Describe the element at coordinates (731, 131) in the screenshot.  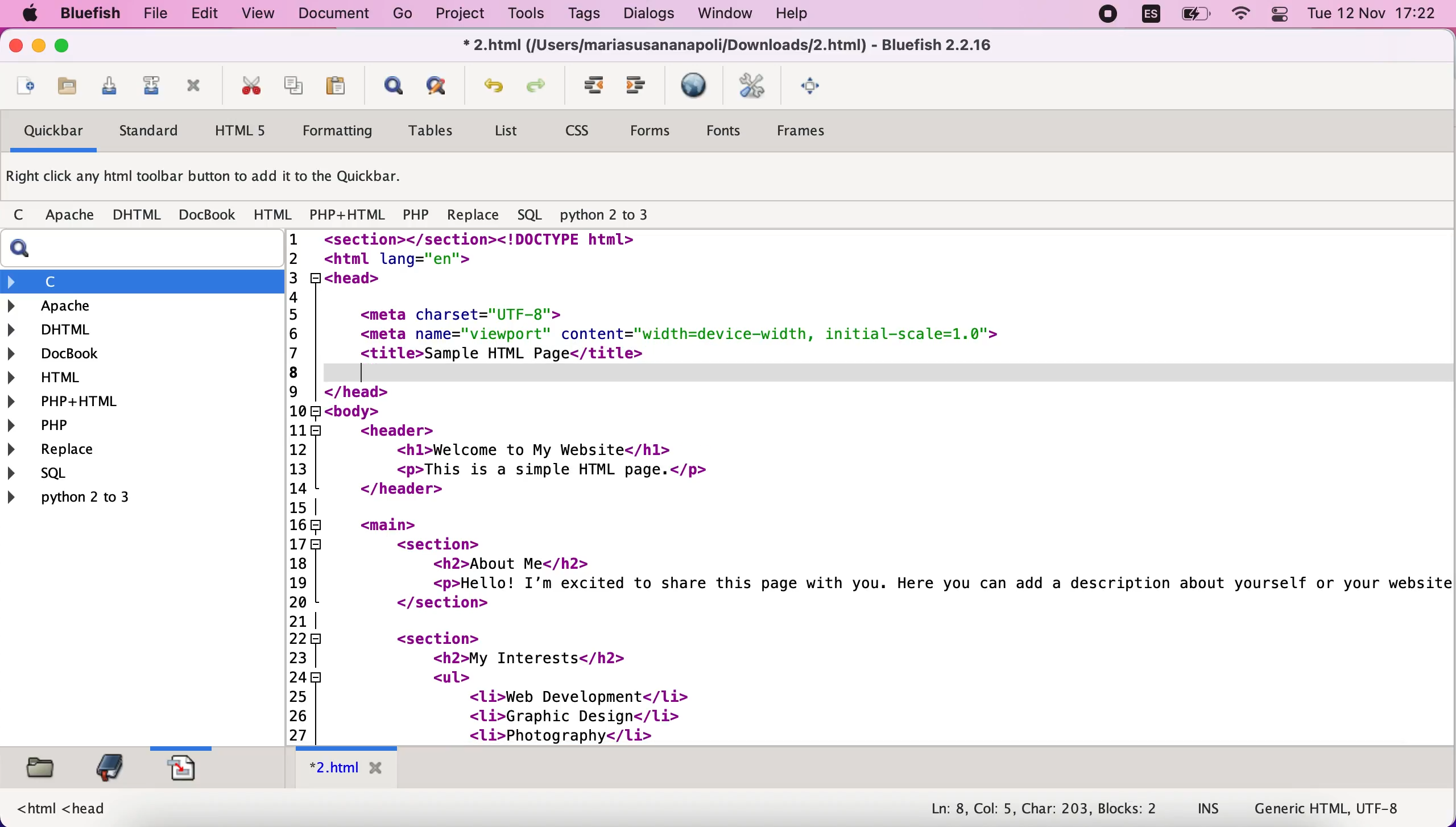
I see `fonts` at that location.